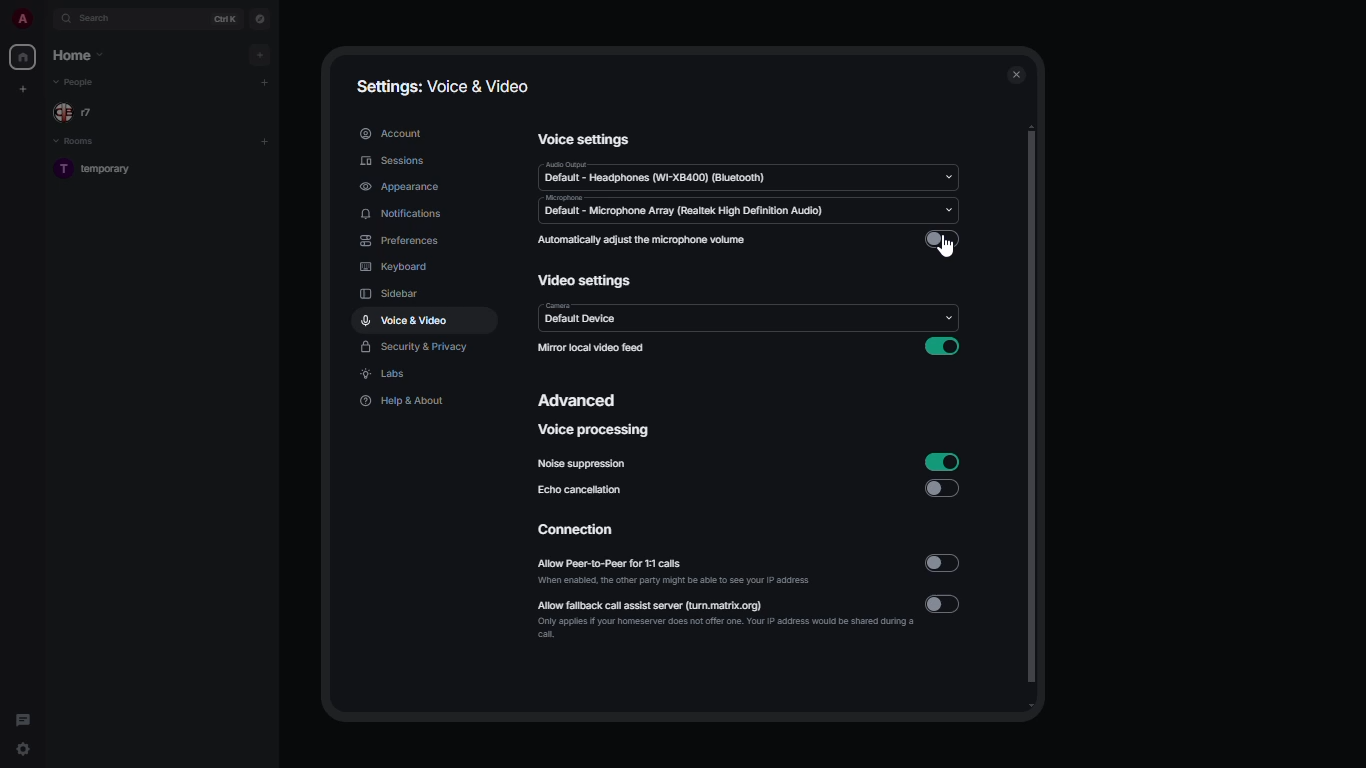 The image size is (1366, 768). Describe the element at coordinates (79, 55) in the screenshot. I see `home` at that location.